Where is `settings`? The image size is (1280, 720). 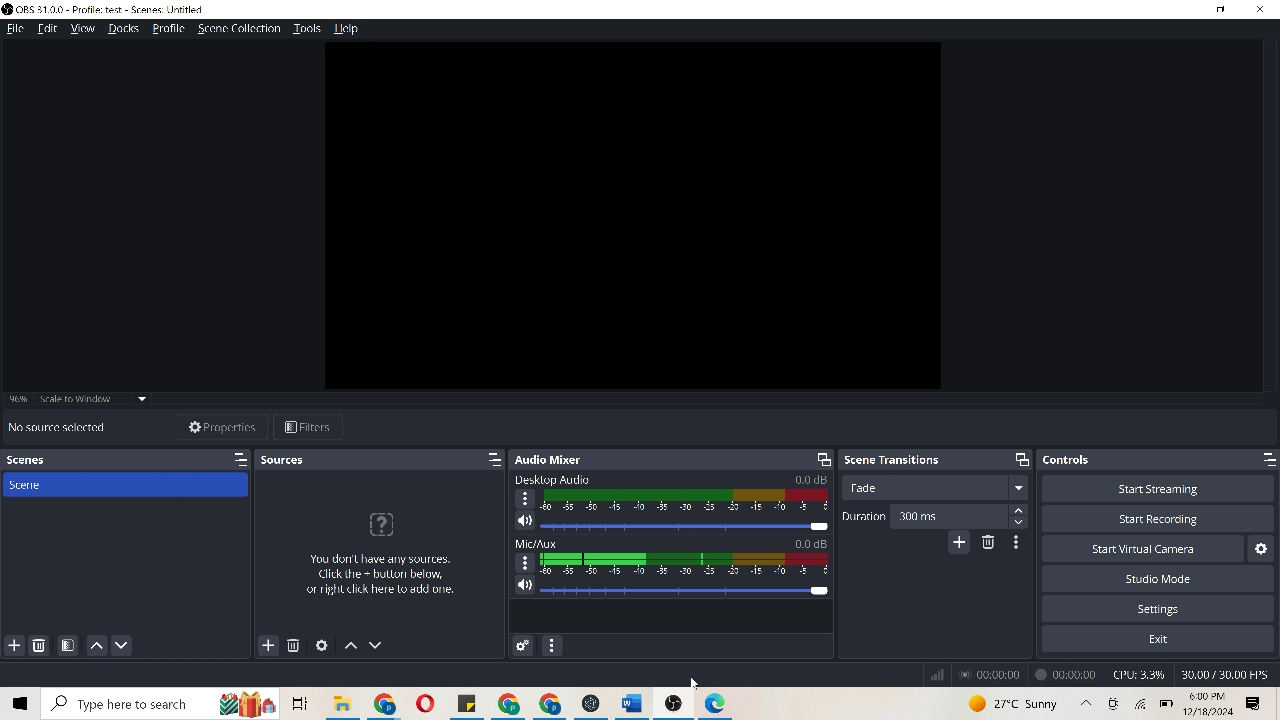
settings is located at coordinates (1168, 609).